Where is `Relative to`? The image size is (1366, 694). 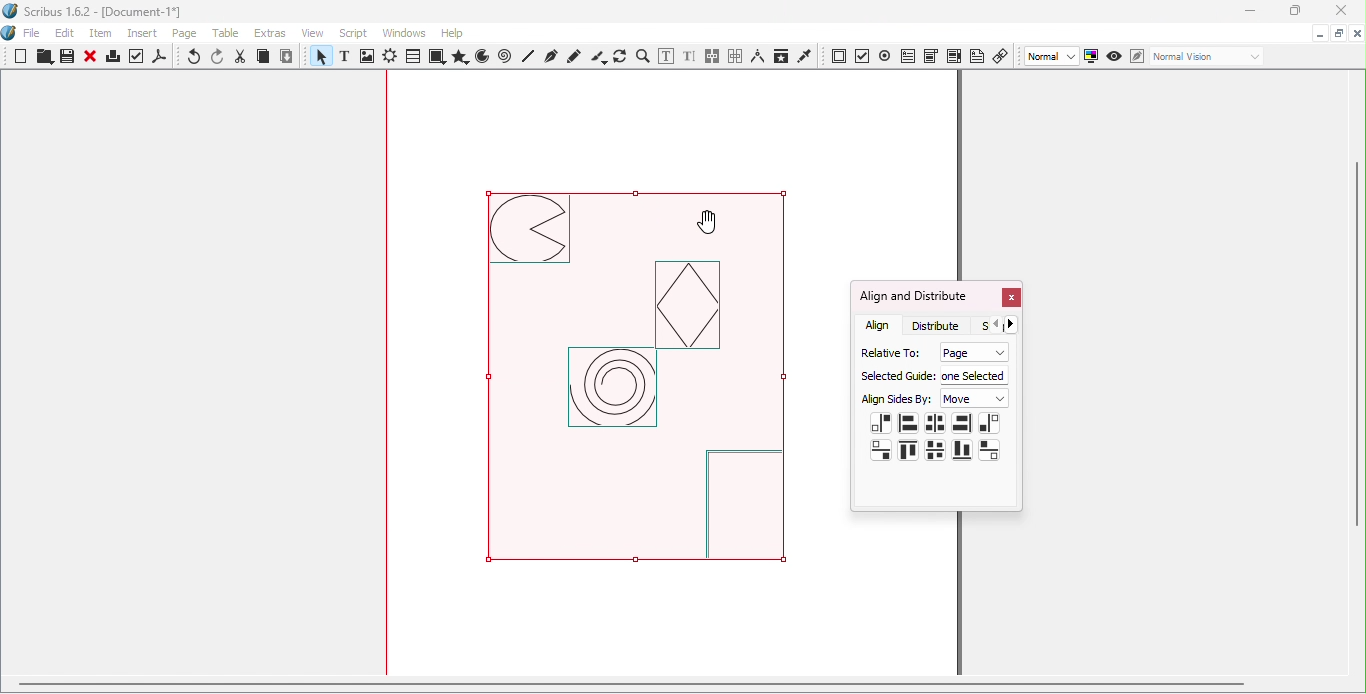 Relative to is located at coordinates (887, 351).